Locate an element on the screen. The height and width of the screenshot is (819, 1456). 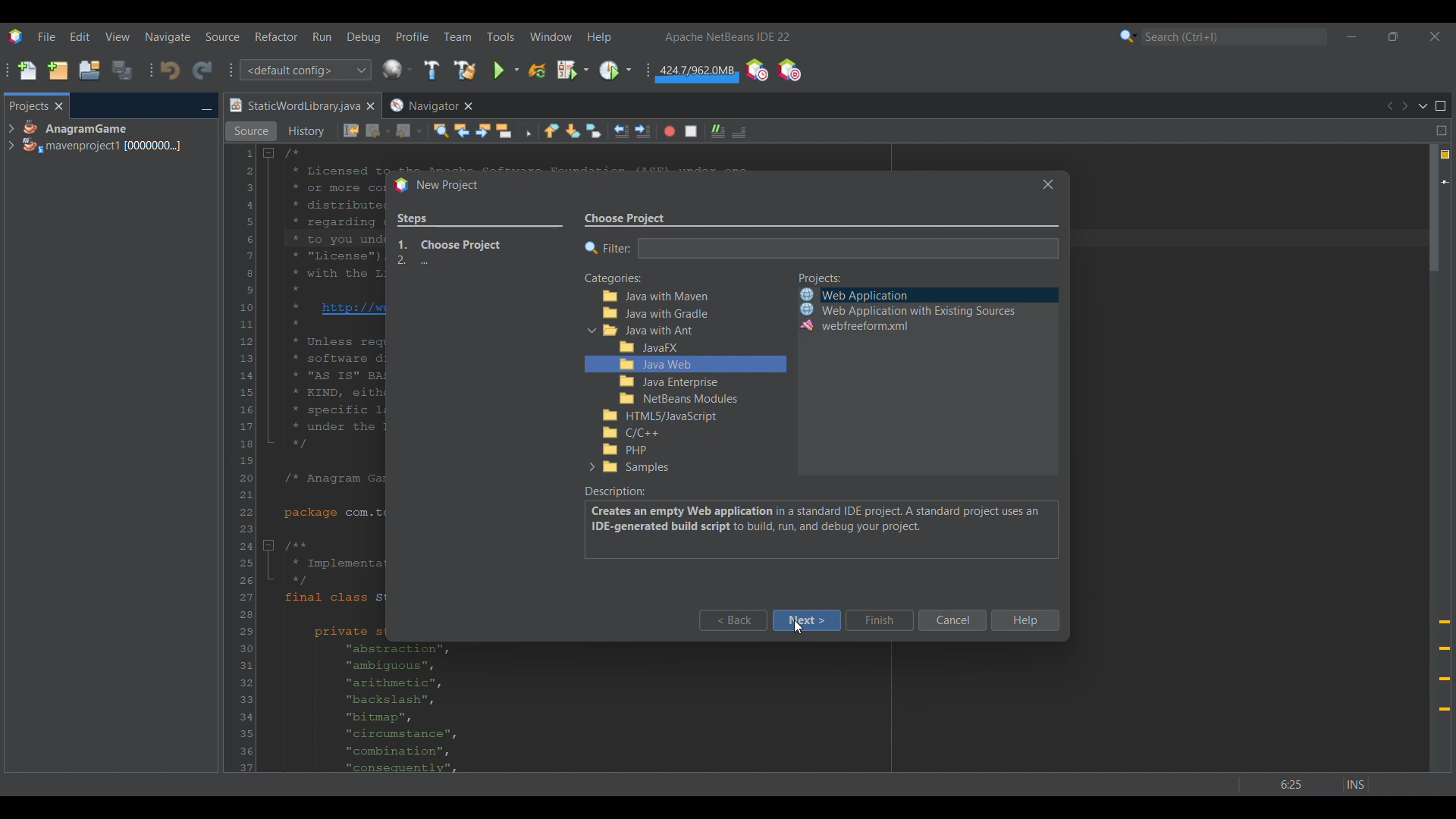
Shift line left is located at coordinates (621, 131).